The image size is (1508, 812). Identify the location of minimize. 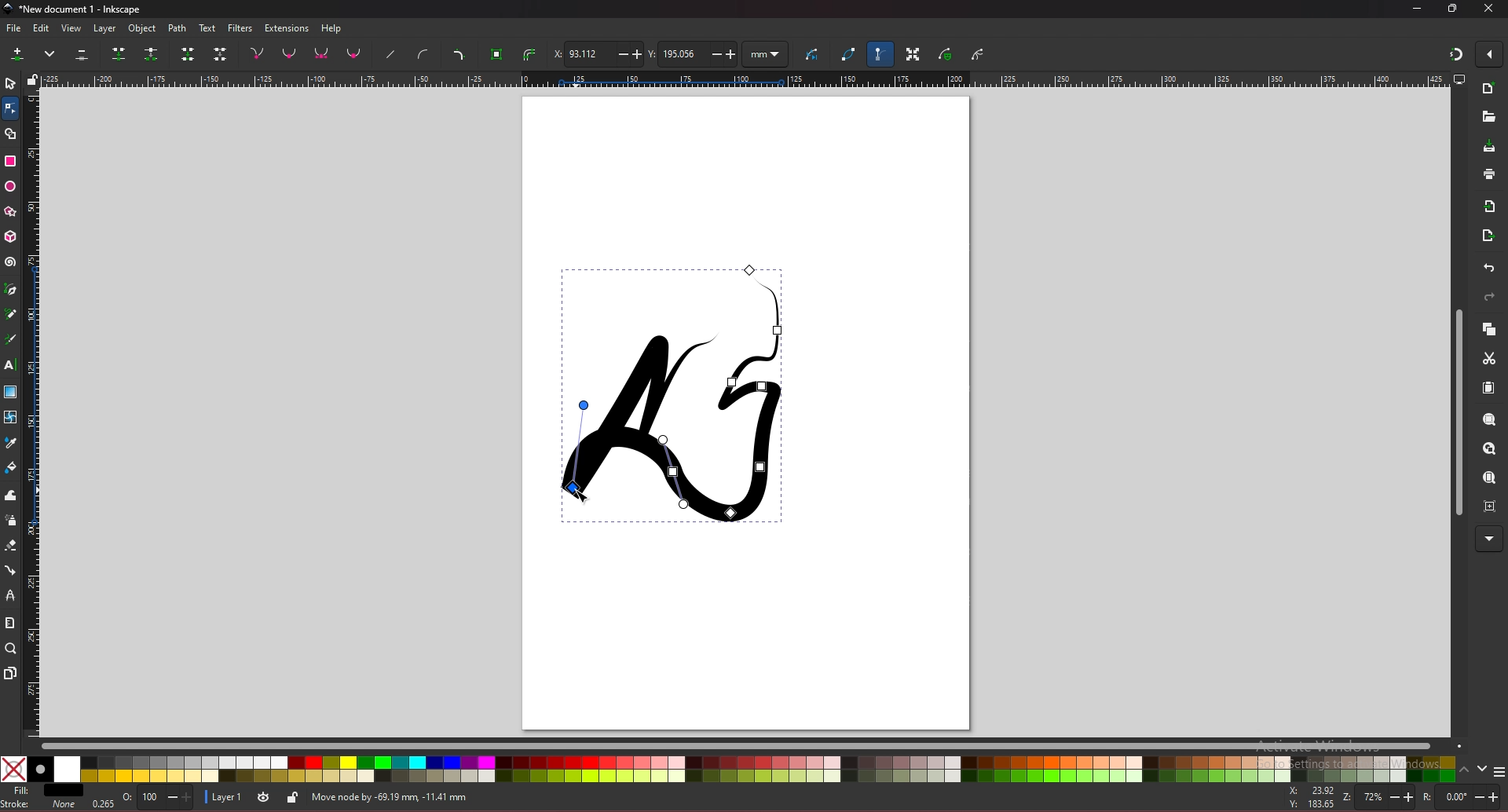
(1418, 9).